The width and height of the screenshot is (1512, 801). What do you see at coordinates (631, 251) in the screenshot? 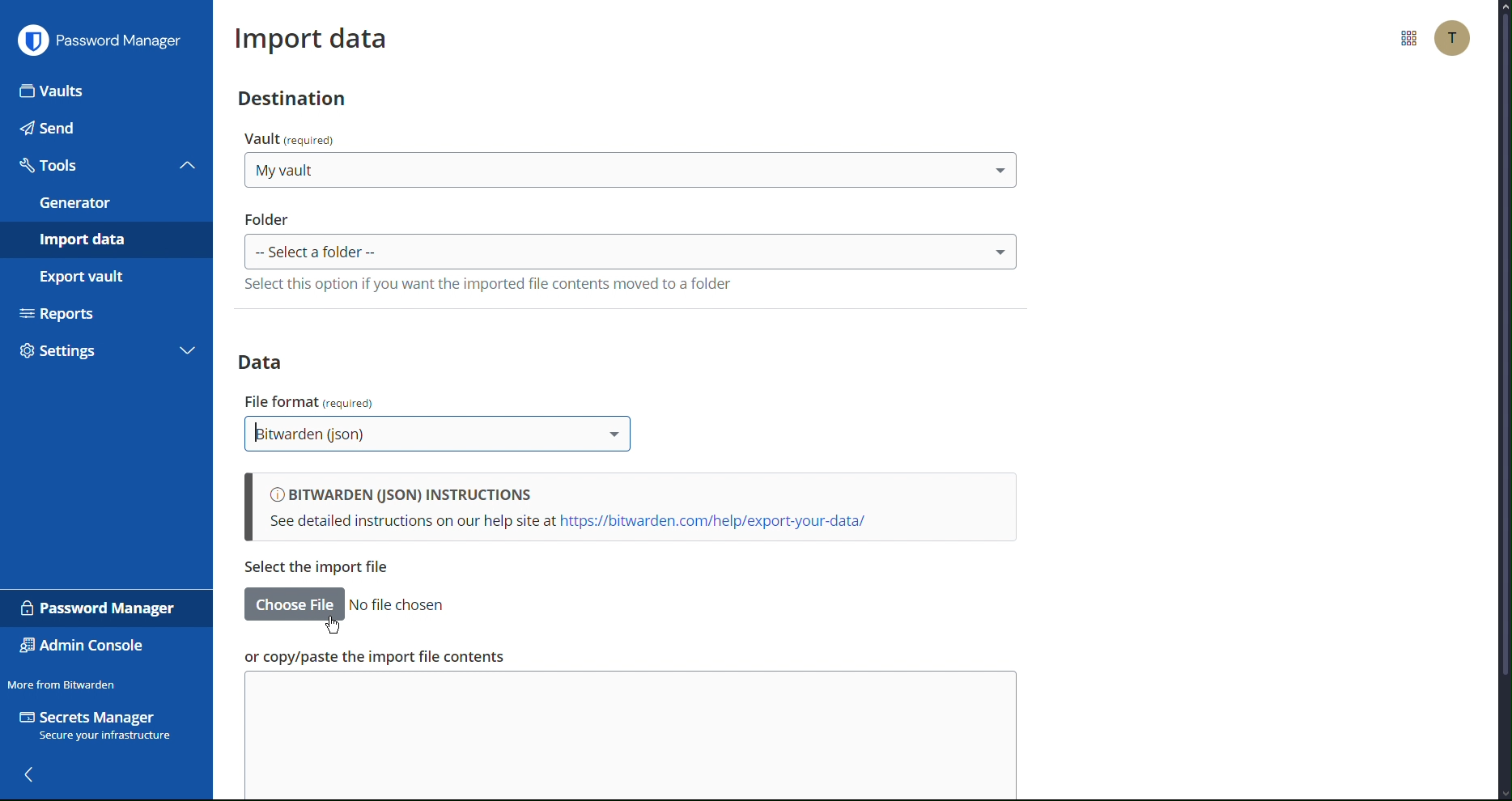
I see `select Folder` at bounding box center [631, 251].